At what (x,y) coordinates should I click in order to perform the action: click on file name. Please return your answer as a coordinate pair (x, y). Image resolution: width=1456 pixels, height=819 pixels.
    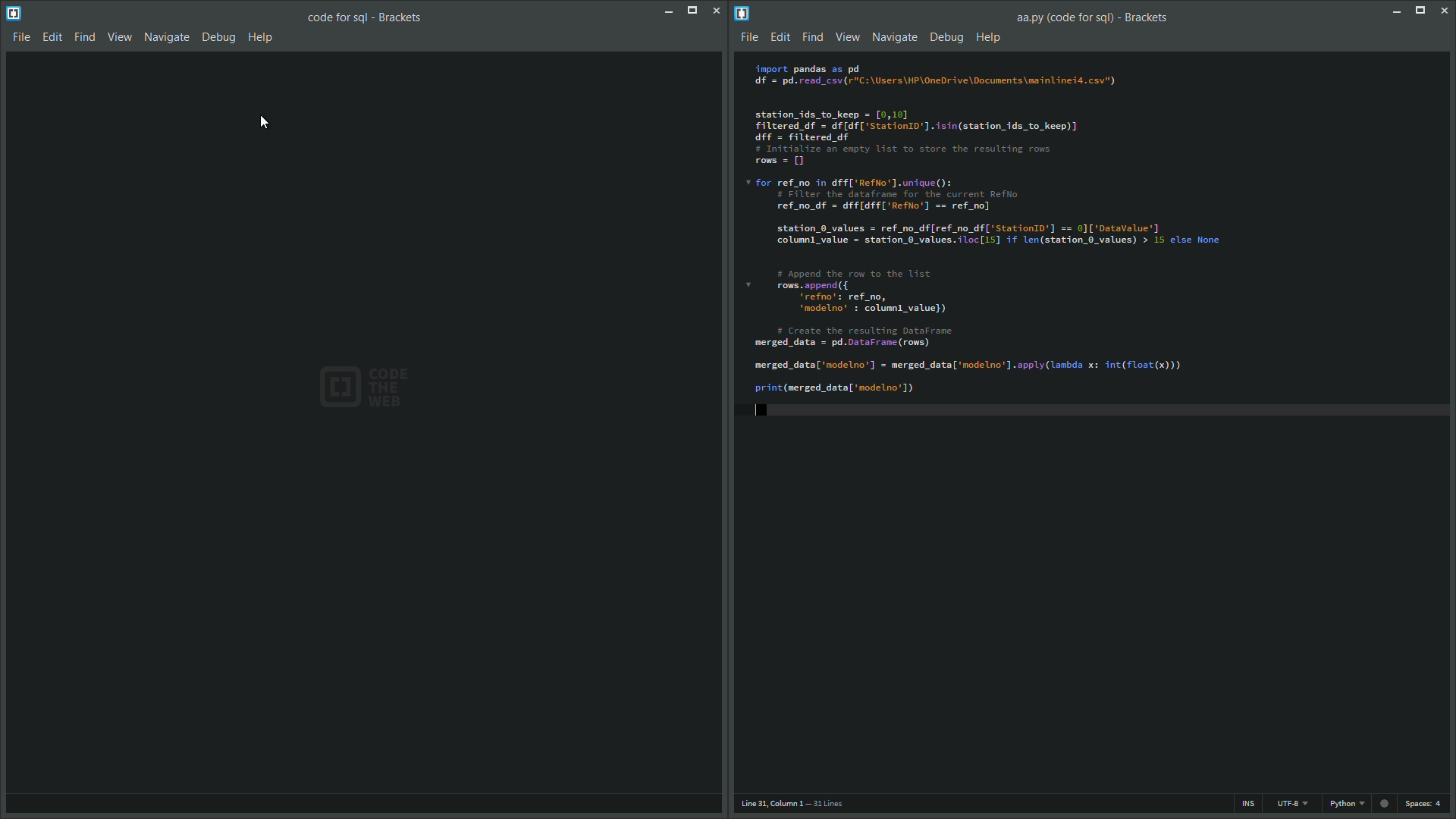
    Looking at the image, I should click on (1094, 19).